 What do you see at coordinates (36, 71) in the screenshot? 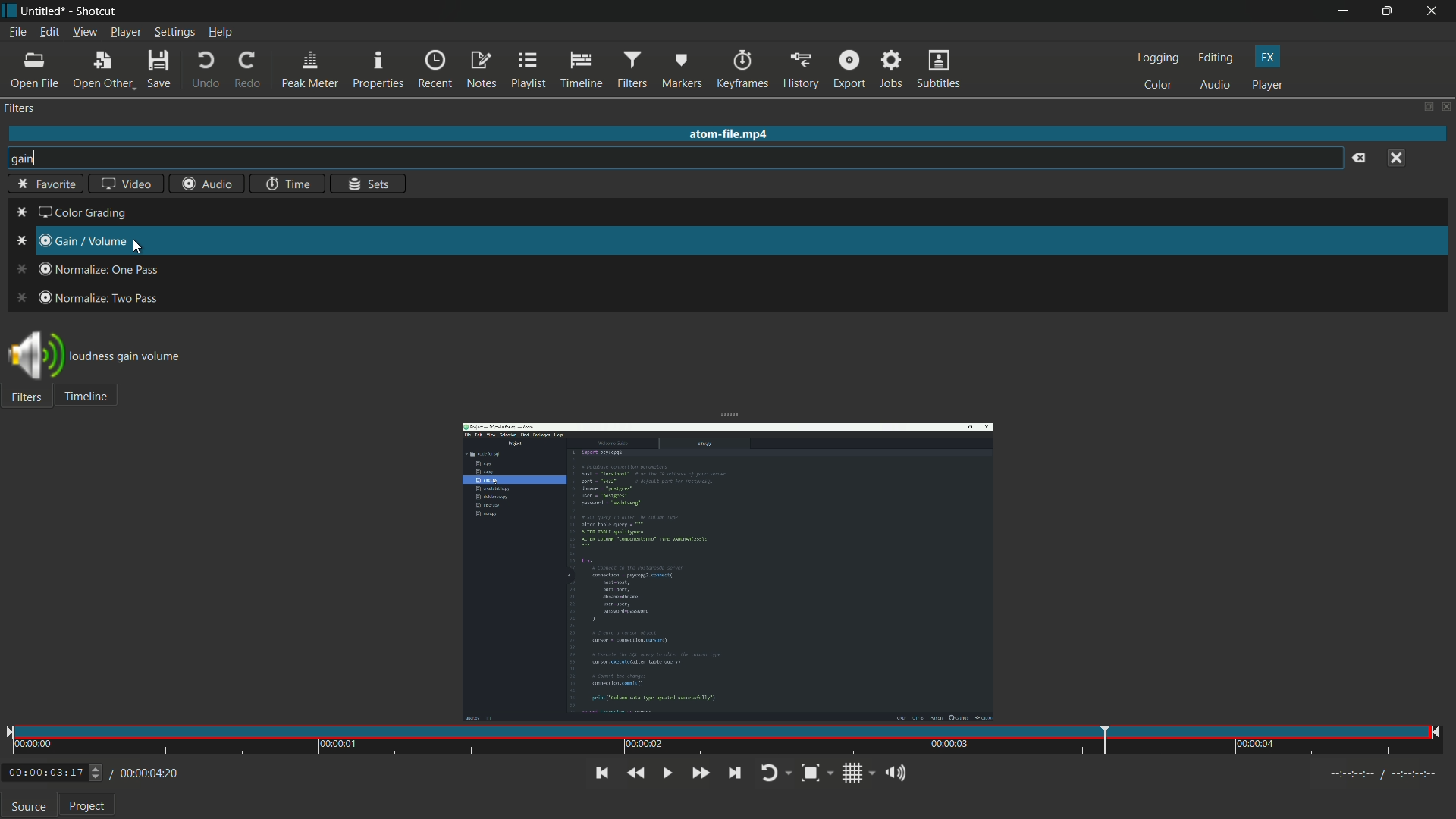
I see `open file` at bounding box center [36, 71].